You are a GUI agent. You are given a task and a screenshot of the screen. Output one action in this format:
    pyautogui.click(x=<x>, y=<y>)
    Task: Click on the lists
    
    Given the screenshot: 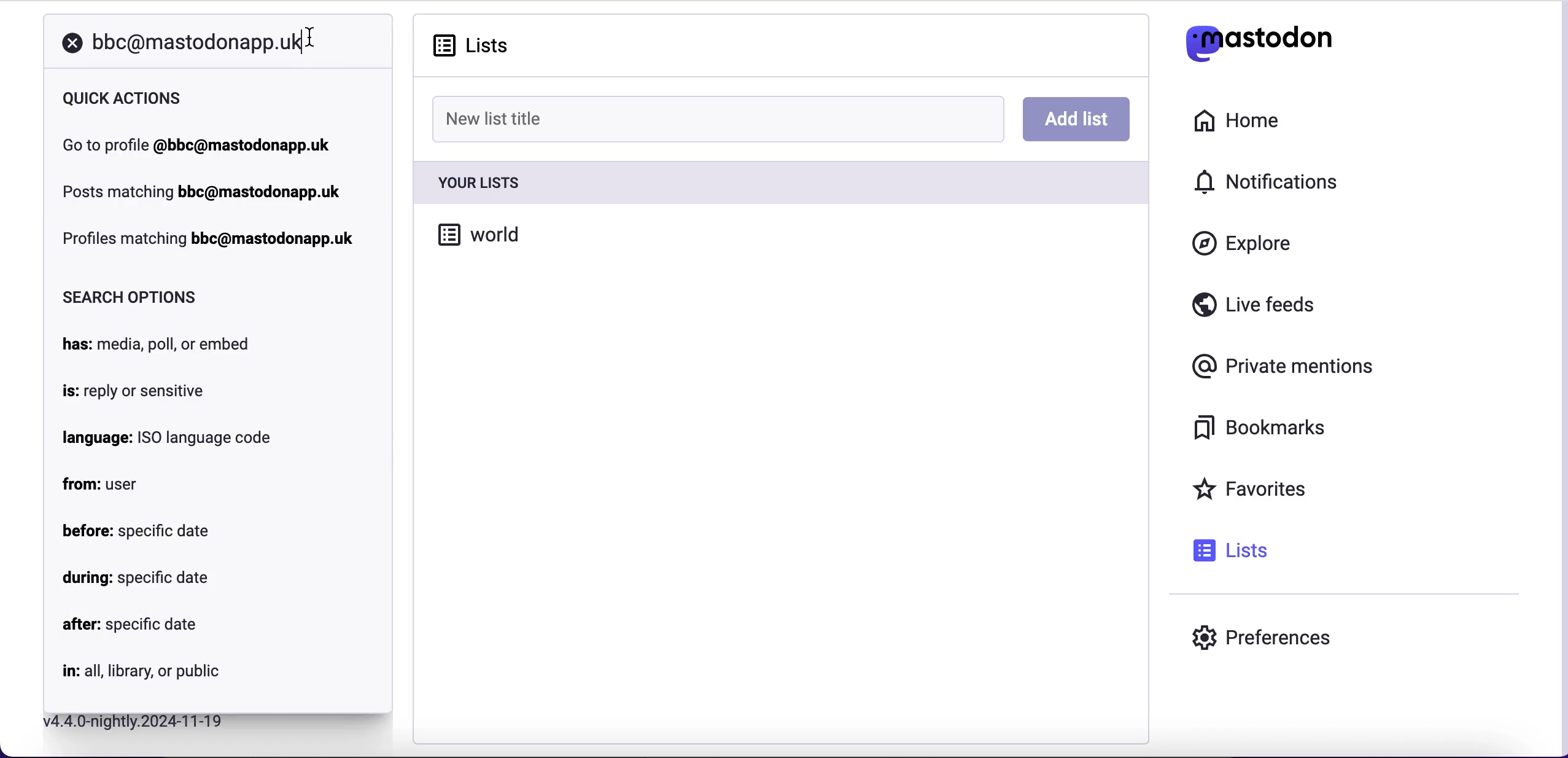 What is the action you would take?
    pyautogui.click(x=1231, y=550)
    